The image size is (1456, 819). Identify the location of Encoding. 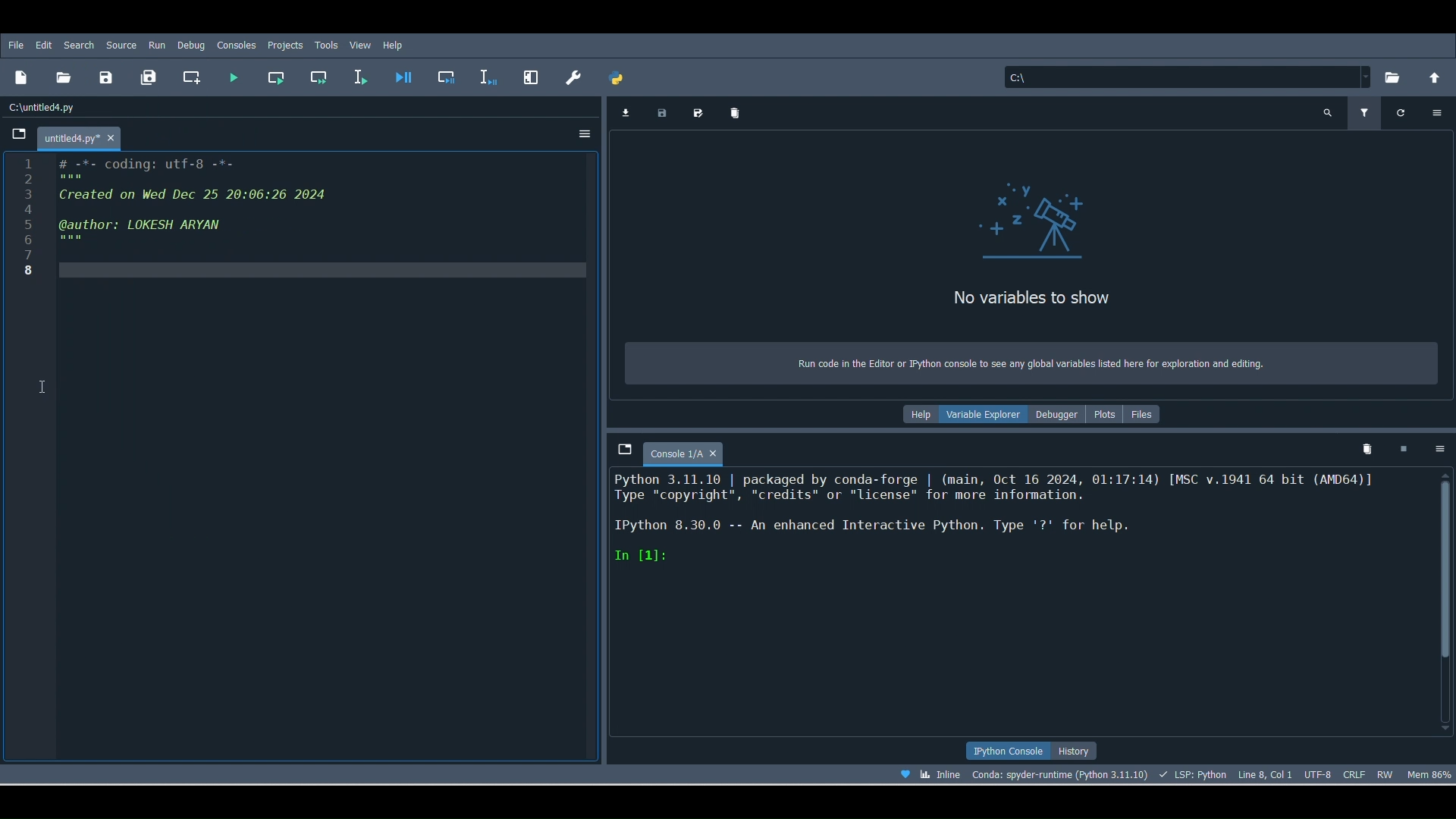
(1316, 773).